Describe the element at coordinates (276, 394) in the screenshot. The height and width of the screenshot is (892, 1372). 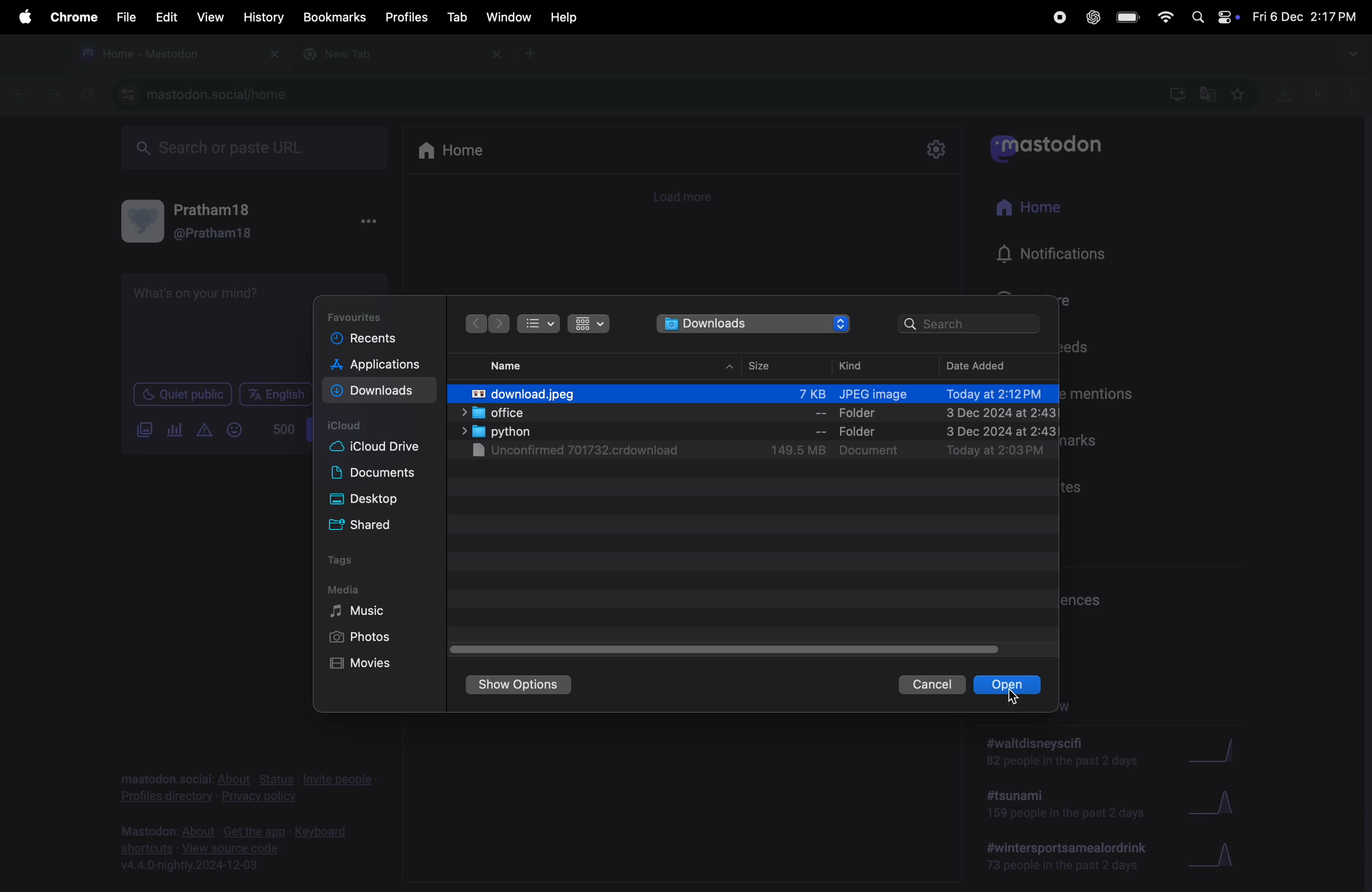
I see `English` at that location.